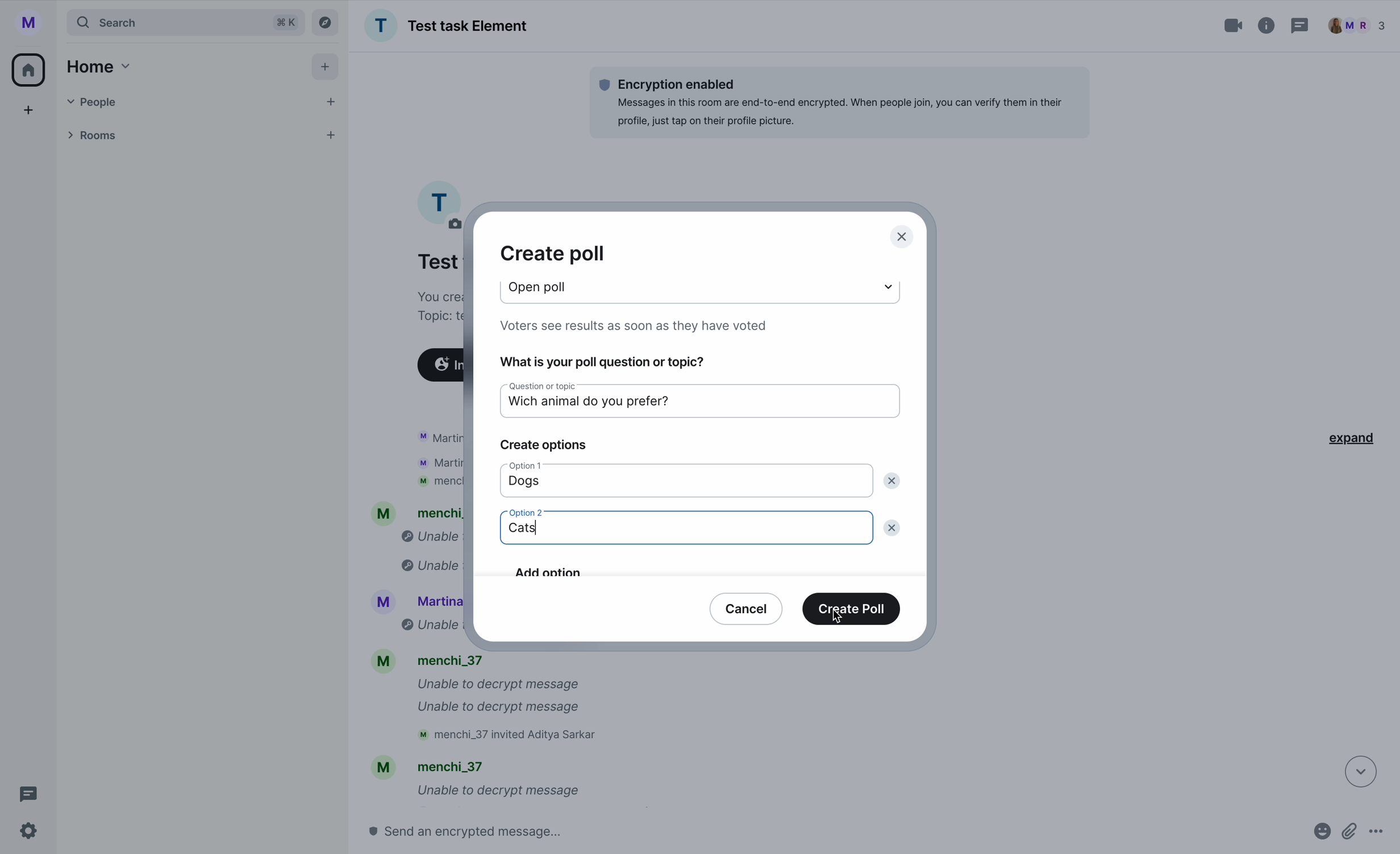 Image resolution: width=1400 pixels, height=854 pixels. What do you see at coordinates (439, 202) in the screenshot?
I see `profile picture` at bounding box center [439, 202].